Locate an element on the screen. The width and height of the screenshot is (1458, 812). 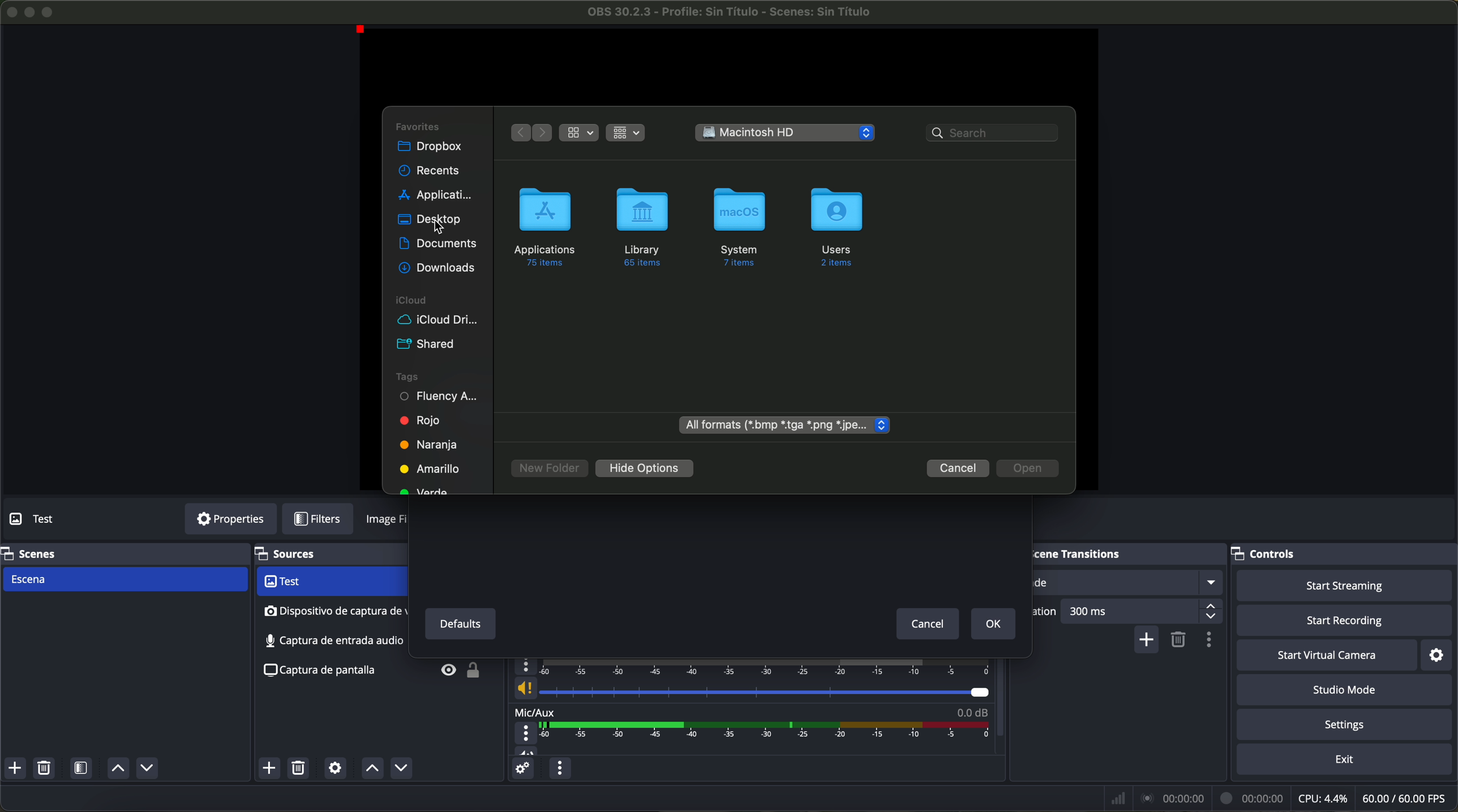
move scene up is located at coordinates (118, 769).